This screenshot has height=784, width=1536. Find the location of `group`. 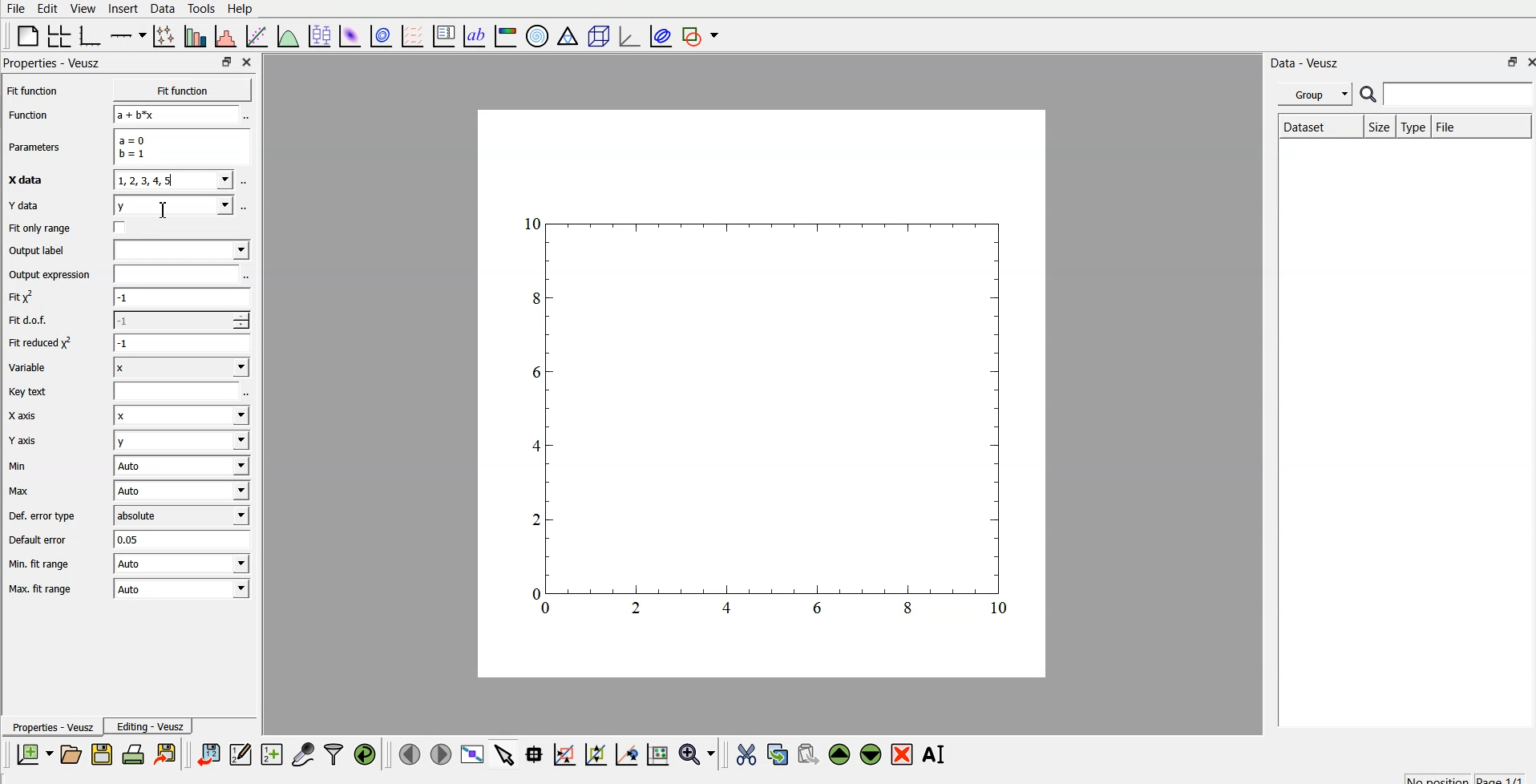

group is located at coordinates (1317, 95).